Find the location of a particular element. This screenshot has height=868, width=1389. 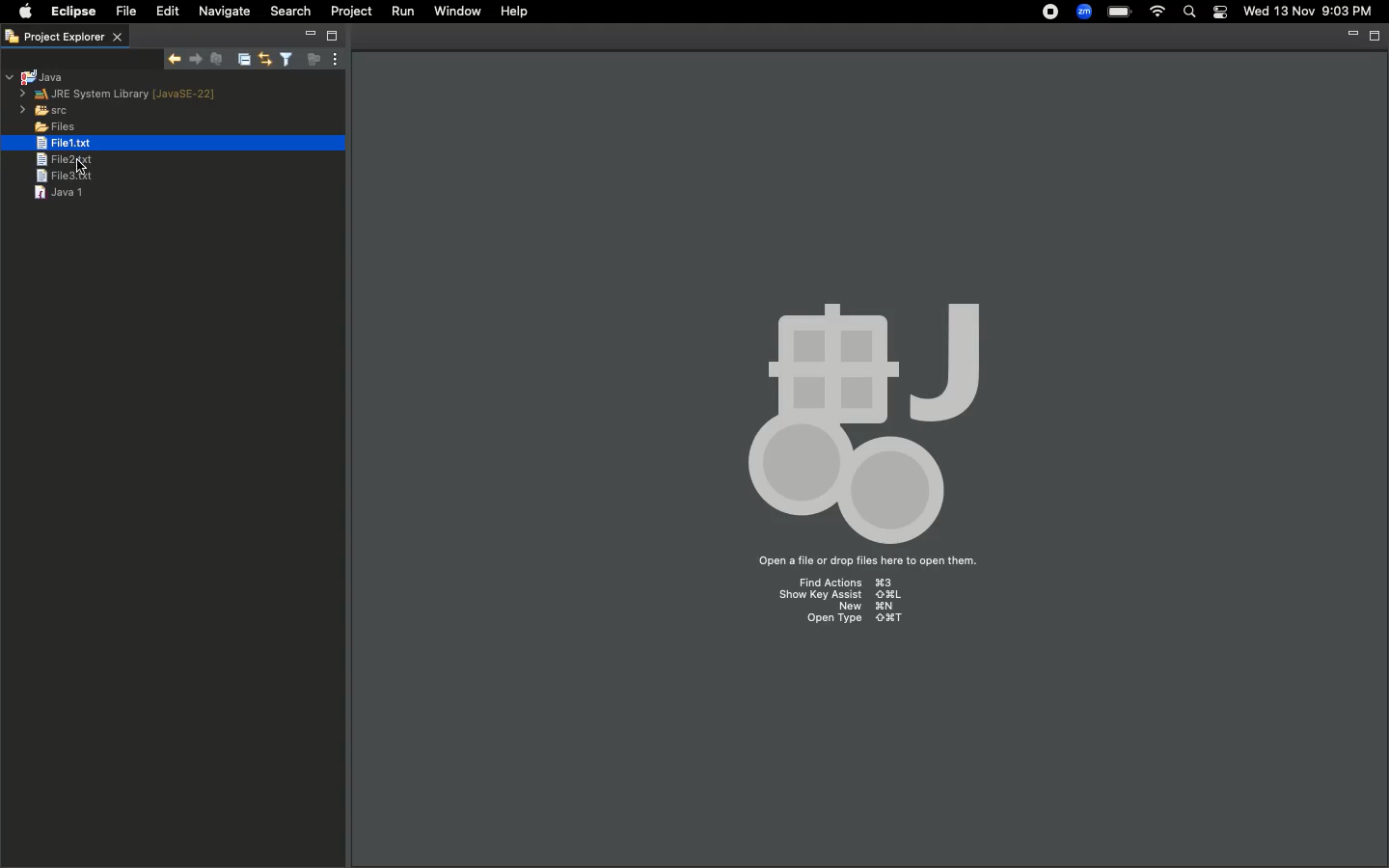

Focus on active task is located at coordinates (311, 60).